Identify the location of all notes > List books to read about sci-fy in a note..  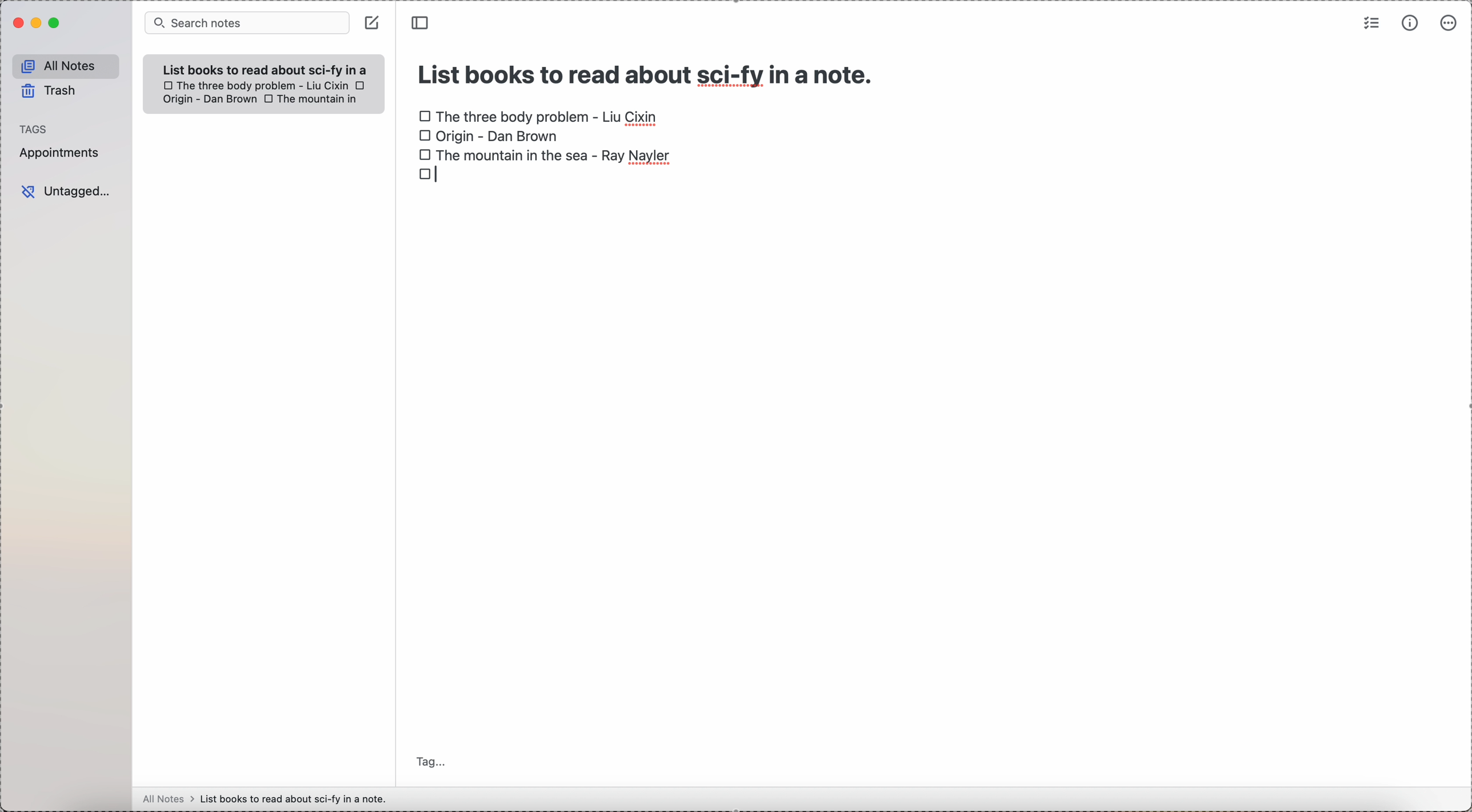
(268, 798).